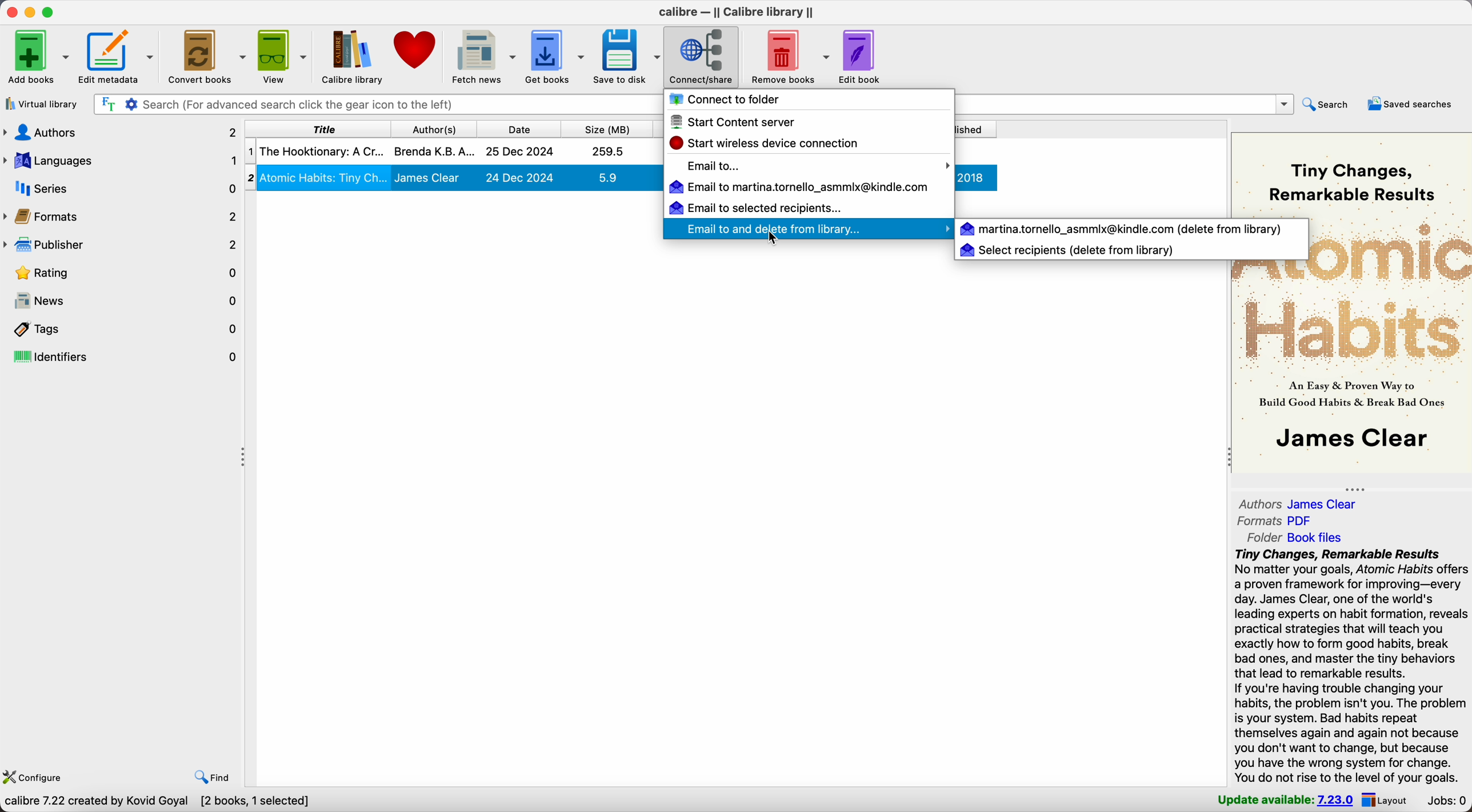  What do you see at coordinates (861, 58) in the screenshot?
I see `edit book` at bounding box center [861, 58].